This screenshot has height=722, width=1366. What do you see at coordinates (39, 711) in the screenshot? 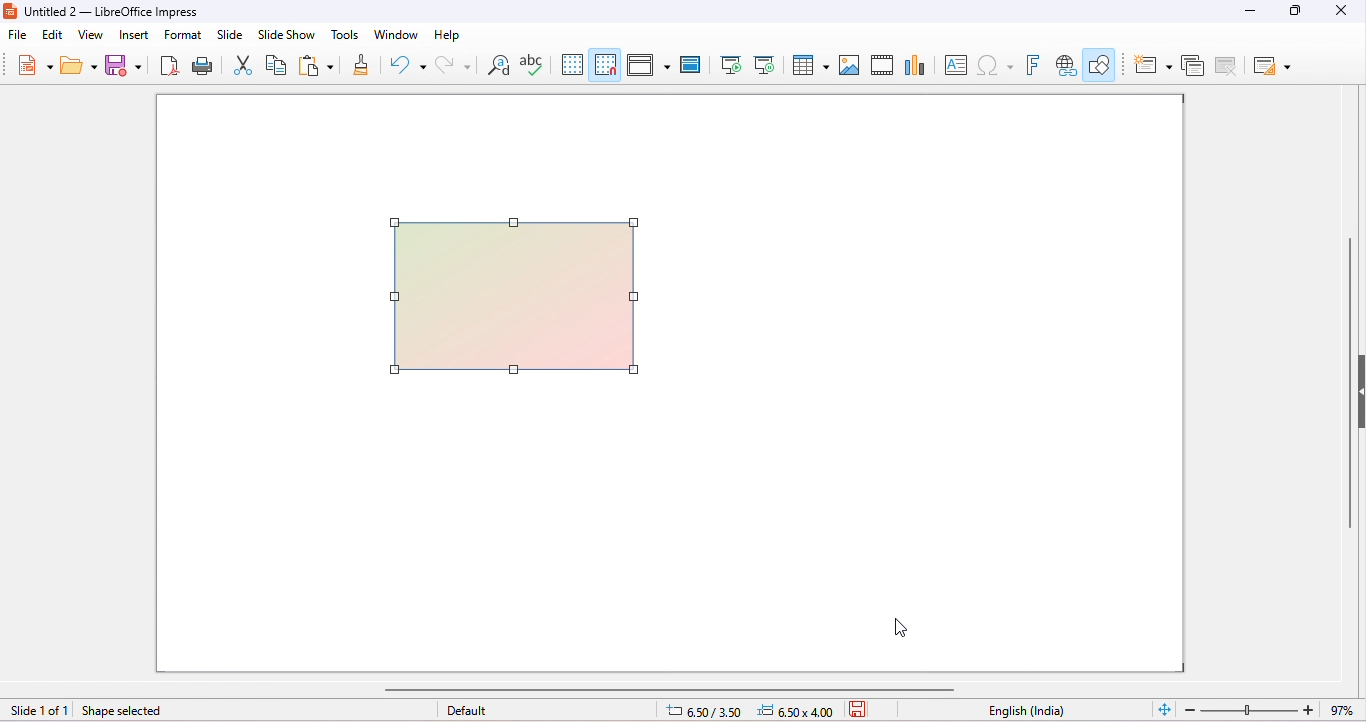
I see `slide 1 of 1` at bounding box center [39, 711].